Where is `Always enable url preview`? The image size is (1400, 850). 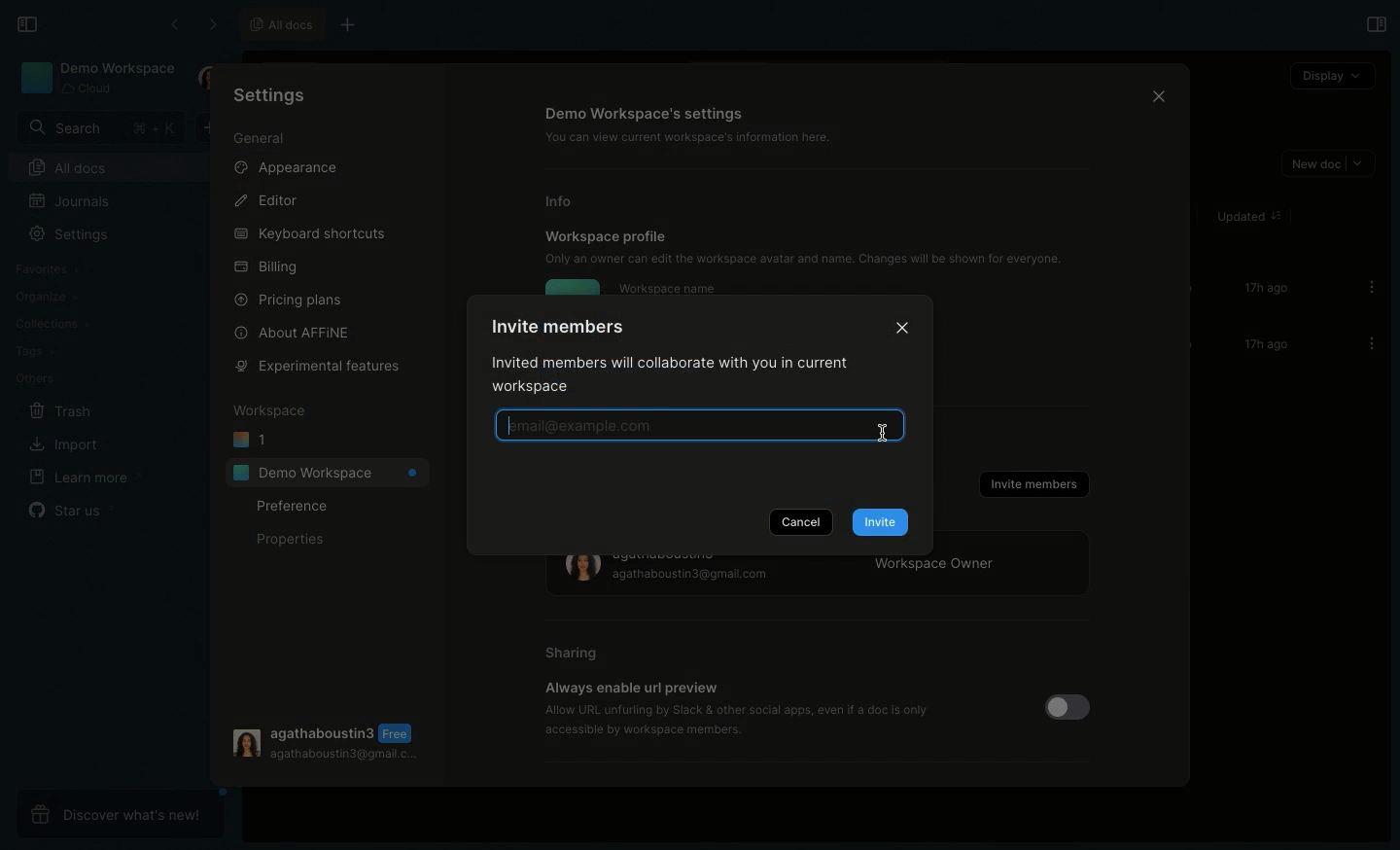
Always enable url preview is located at coordinates (631, 688).